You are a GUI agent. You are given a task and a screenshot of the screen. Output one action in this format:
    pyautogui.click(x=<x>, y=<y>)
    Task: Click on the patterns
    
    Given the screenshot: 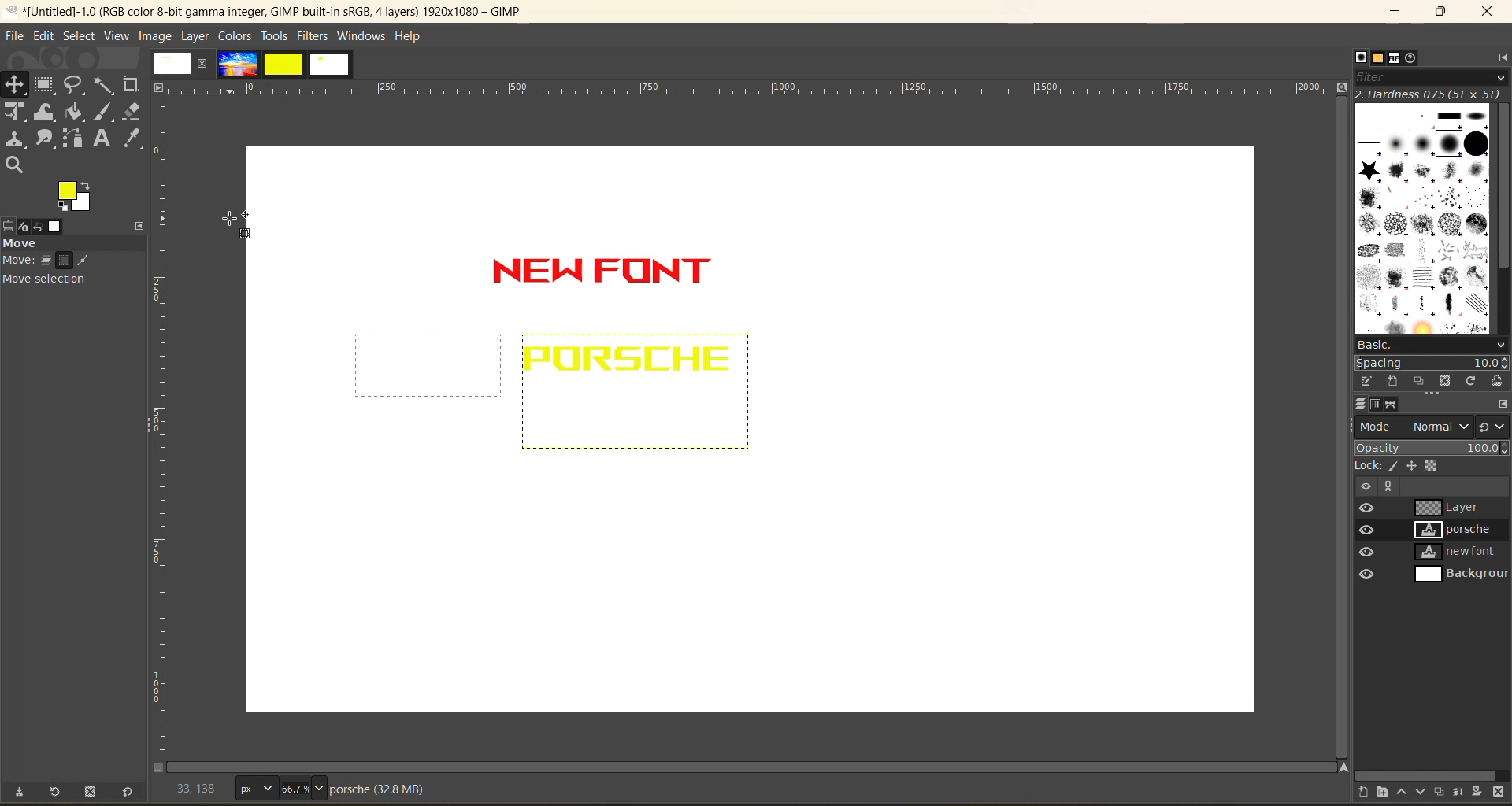 What is the action you would take?
    pyautogui.click(x=1374, y=58)
    